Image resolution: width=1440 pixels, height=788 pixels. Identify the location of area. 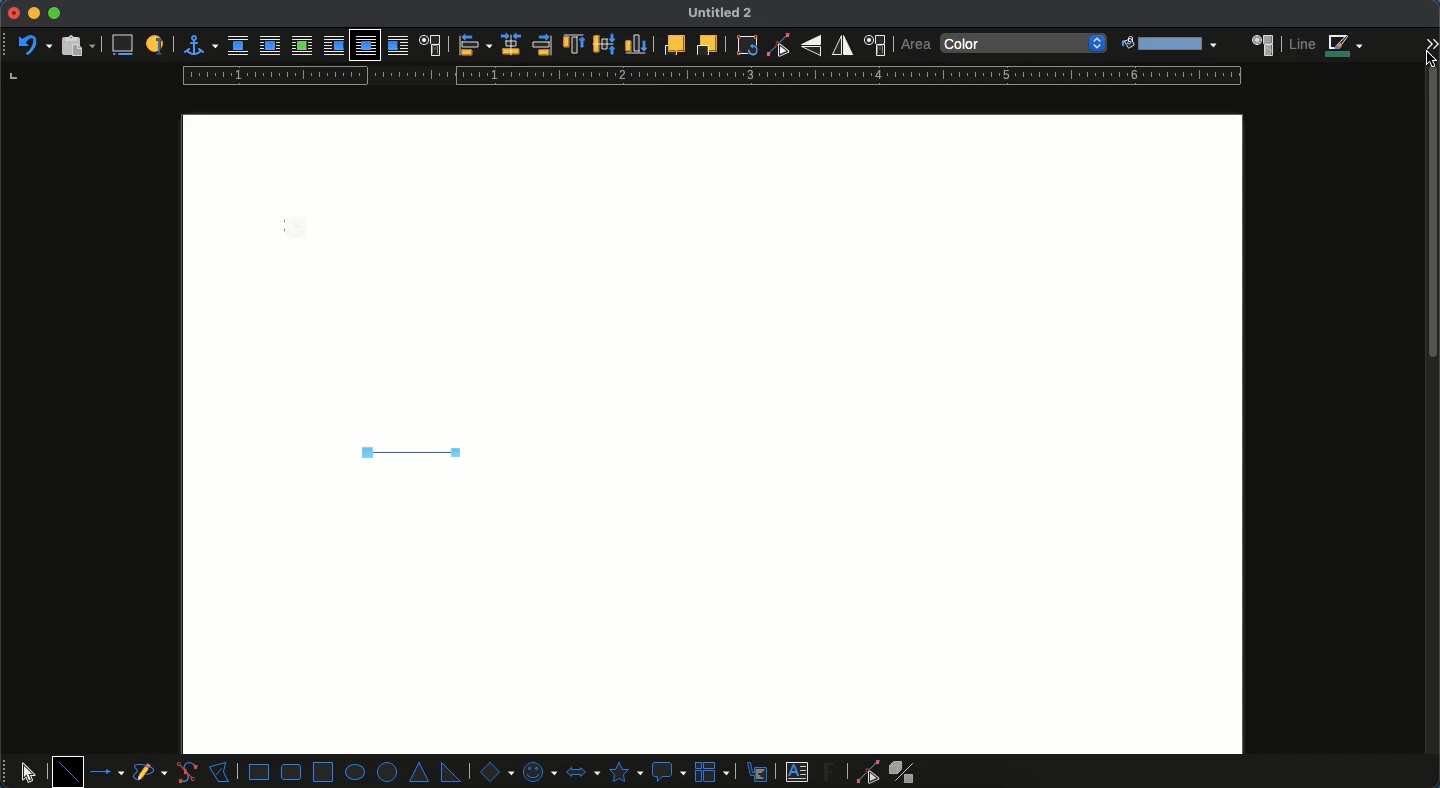
(915, 45).